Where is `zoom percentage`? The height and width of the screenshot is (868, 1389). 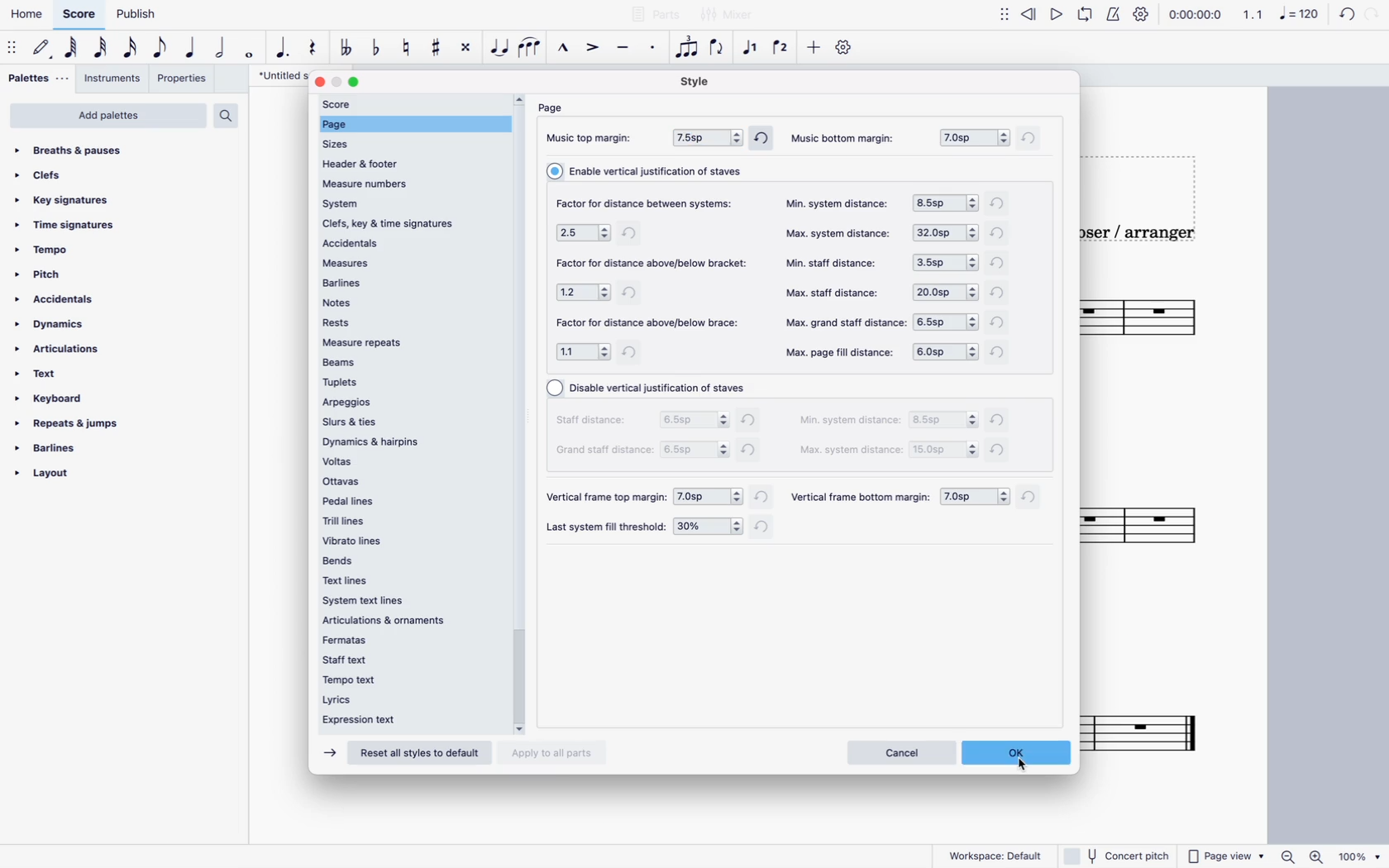
zoom percentage is located at coordinates (1363, 856).